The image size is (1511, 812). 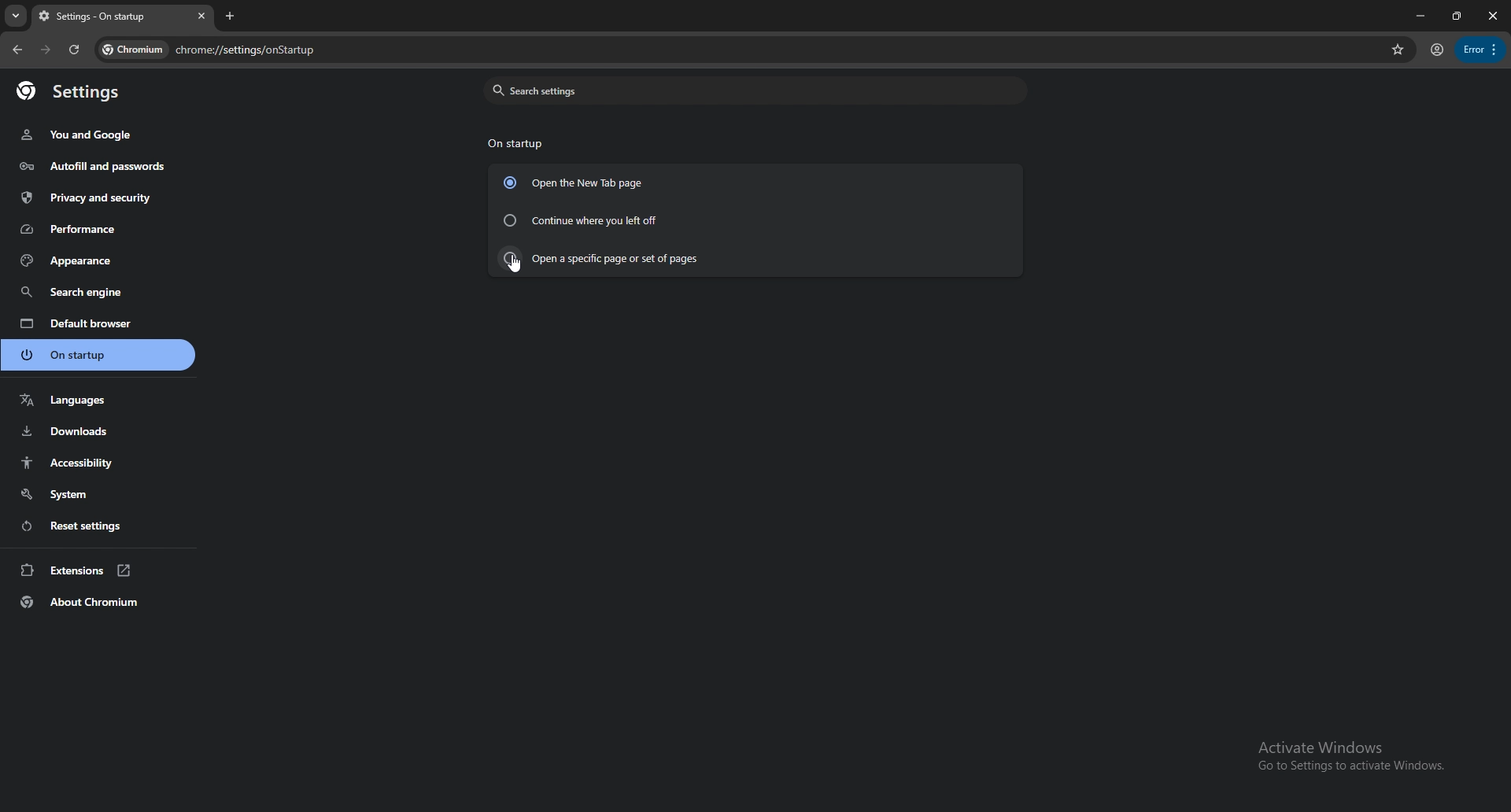 What do you see at coordinates (93, 168) in the screenshot?
I see `autofill and passwords` at bounding box center [93, 168].